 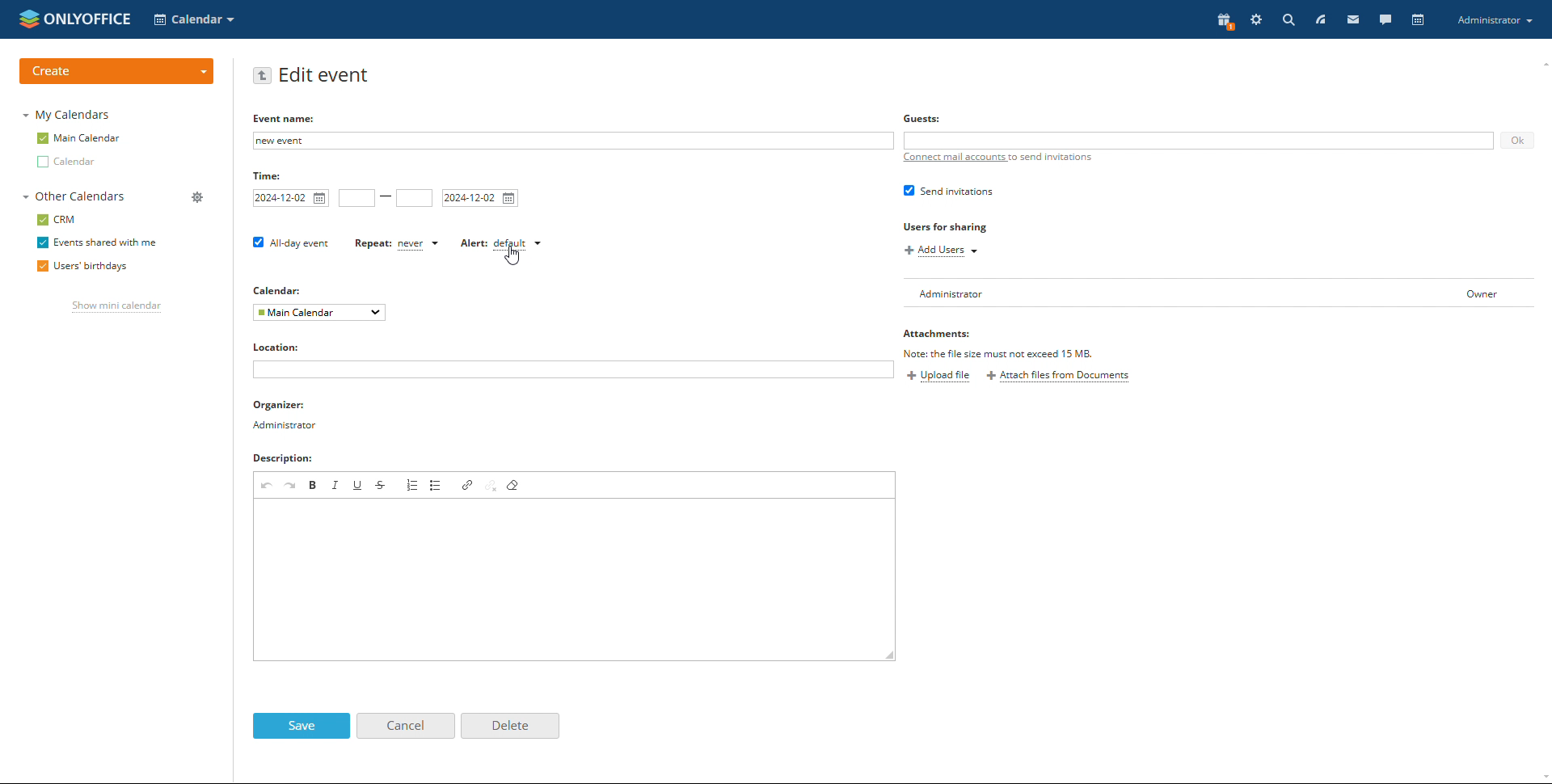 I want to click on account, so click(x=1494, y=20).